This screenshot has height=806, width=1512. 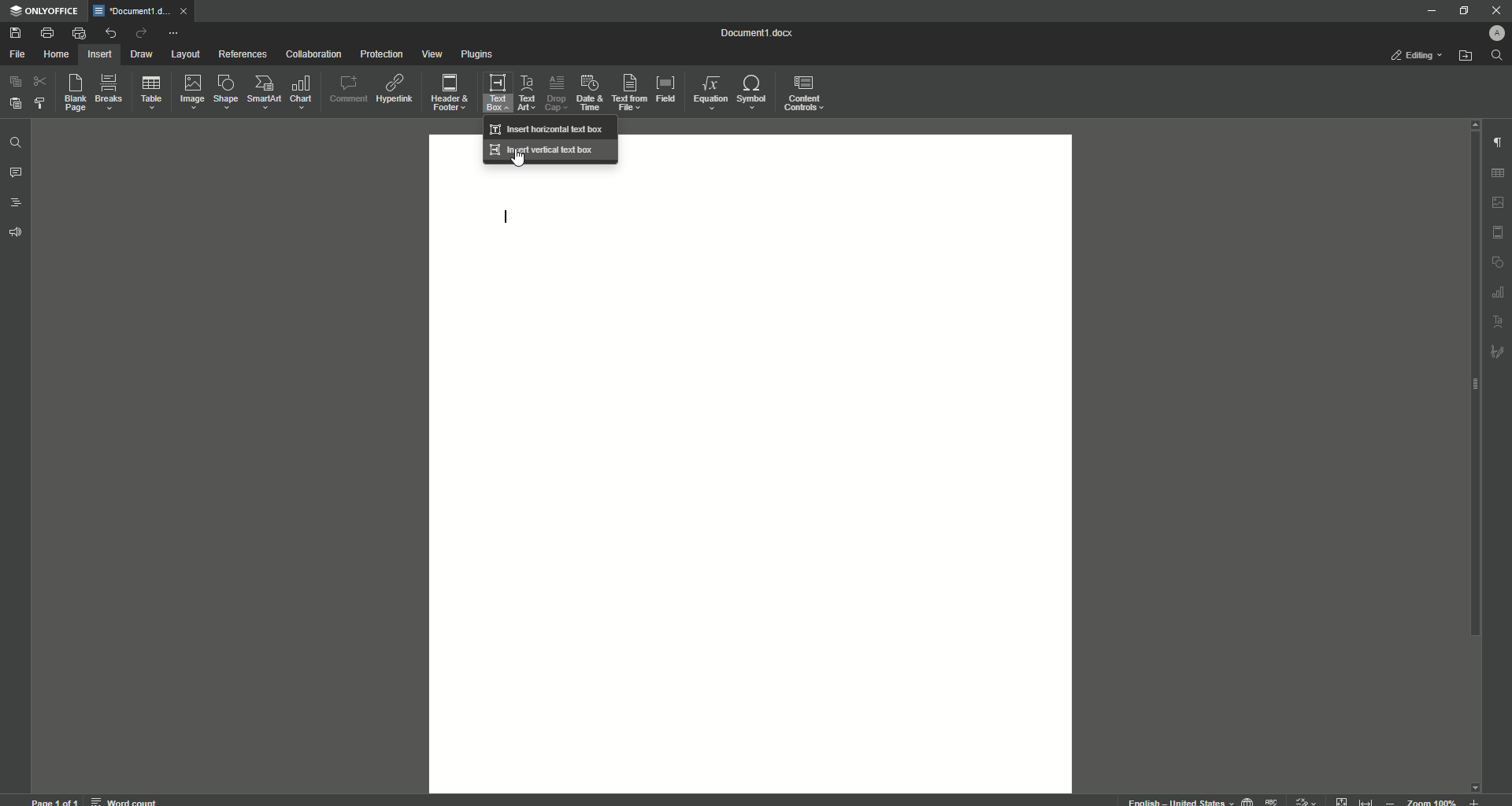 What do you see at coordinates (396, 89) in the screenshot?
I see `Hyperlink` at bounding box center [396, 89].